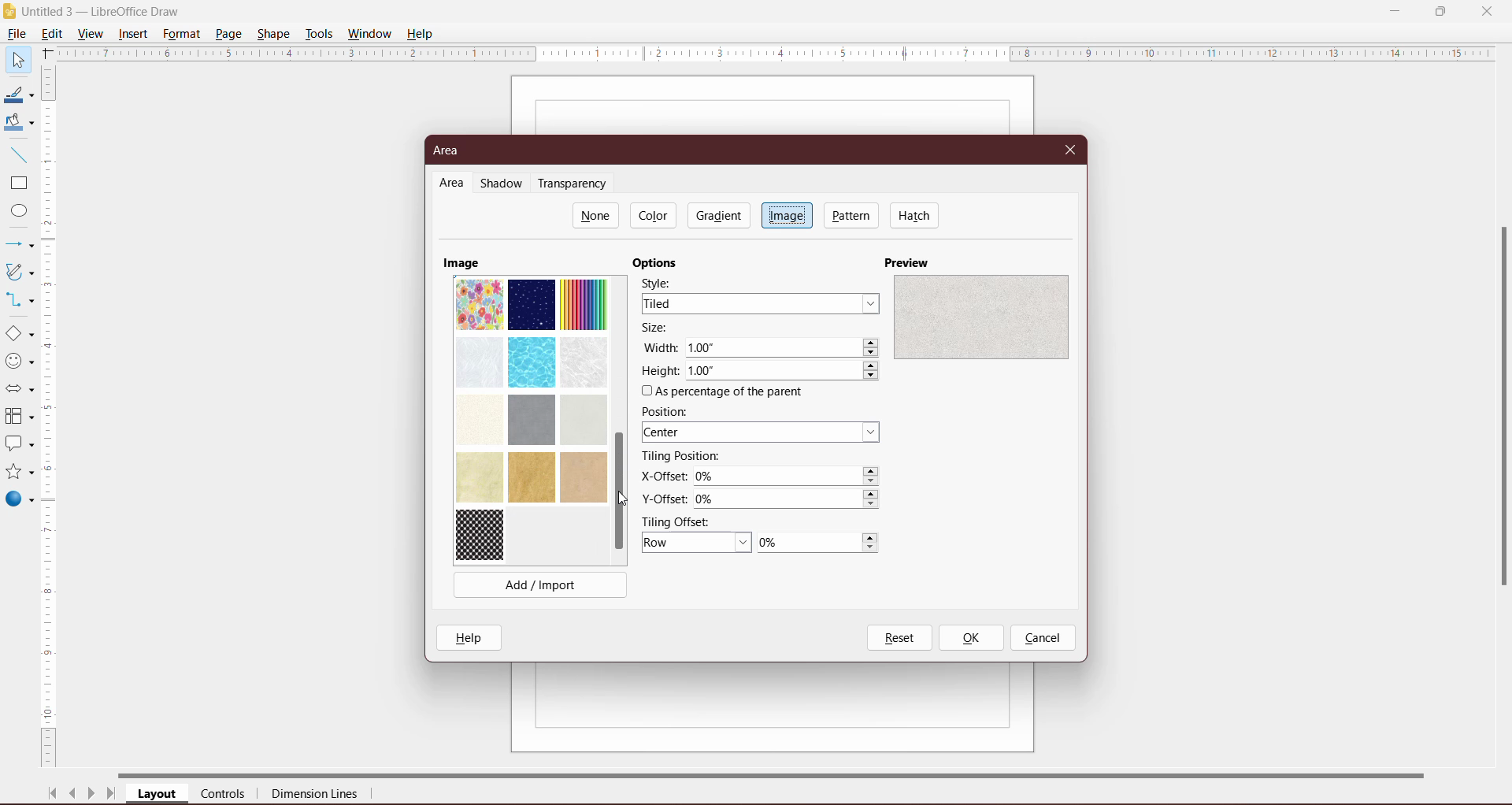  Describe the element at coordinates (16, 34) in the screenshot. I see `File` at that location.